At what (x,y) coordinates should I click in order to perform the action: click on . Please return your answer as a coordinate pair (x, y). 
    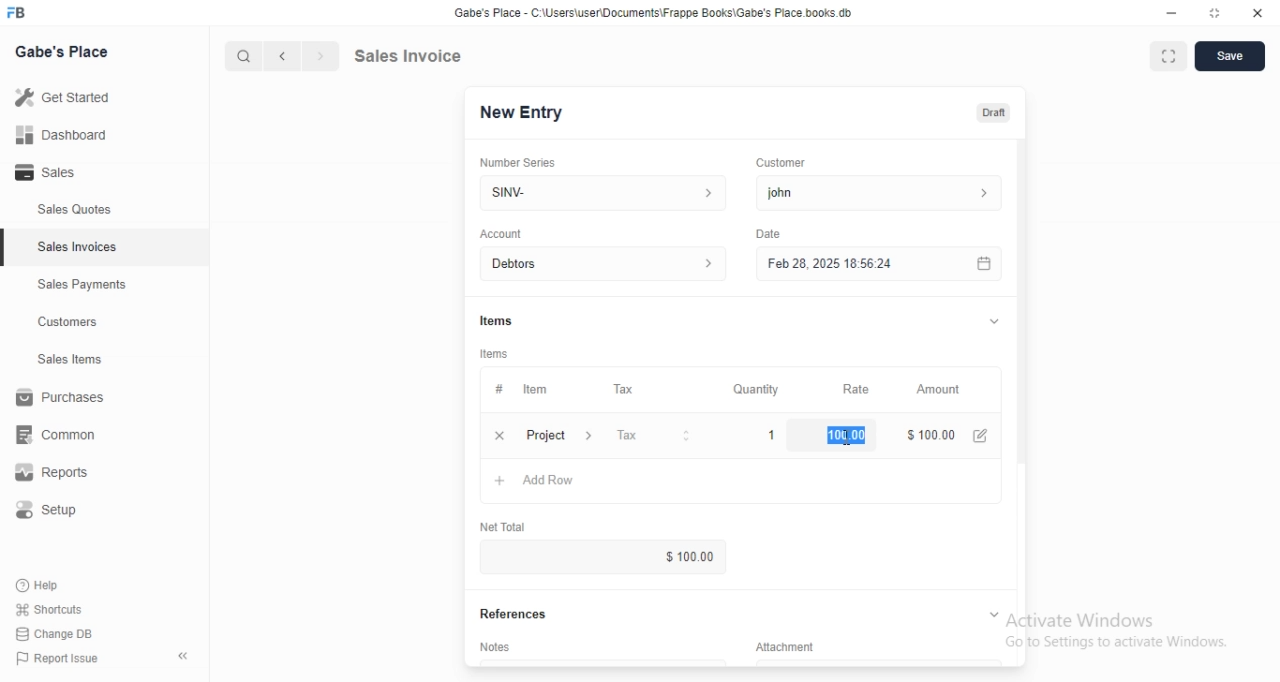
    Looking at the image, I should click on (499, 320).